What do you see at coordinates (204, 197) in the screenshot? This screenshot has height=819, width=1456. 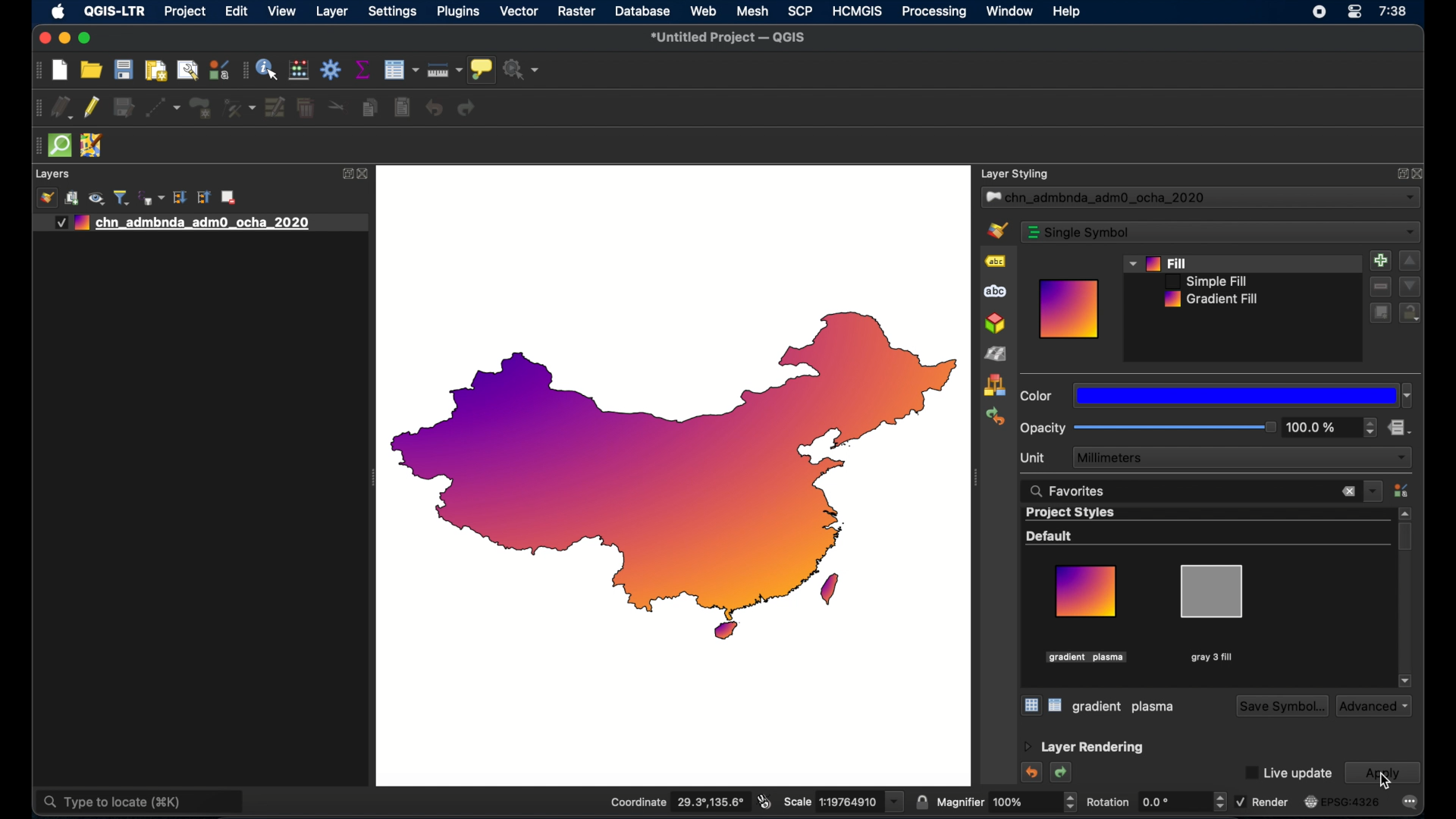 I see `collapse all` at bounding box center [204, 197].